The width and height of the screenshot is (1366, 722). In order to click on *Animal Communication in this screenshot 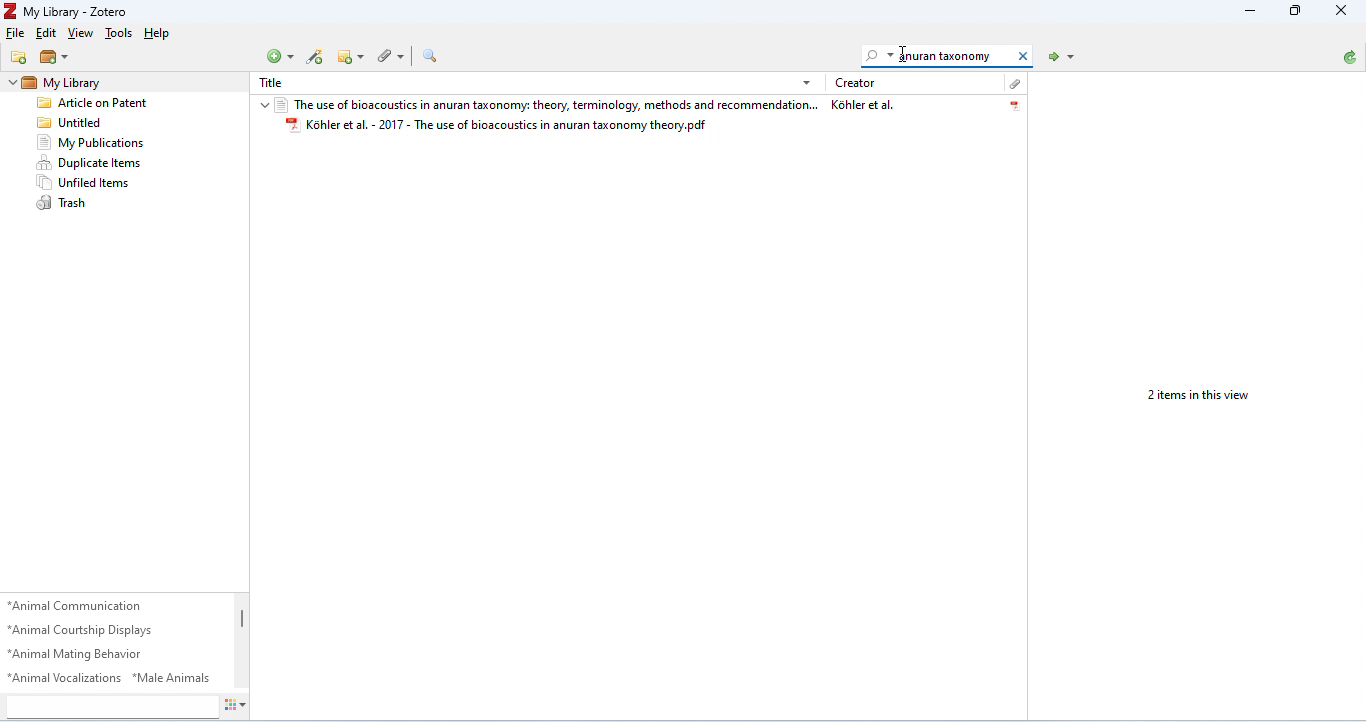, I will do `click(80, 606)`.